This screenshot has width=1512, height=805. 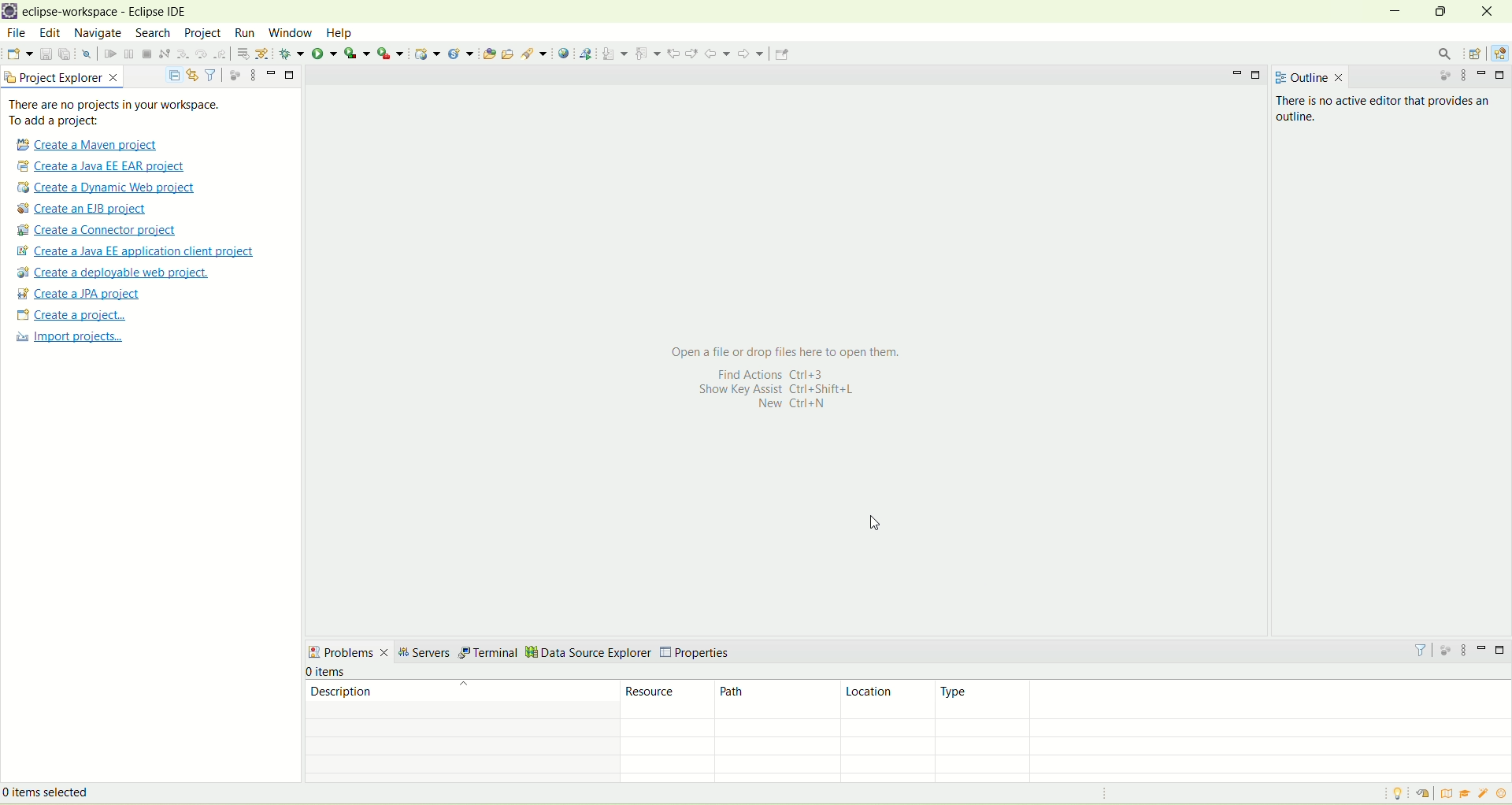 What do you see at coordinates (387, 53) in the screenshot?
I see `run` at bounding box center [387, 53].